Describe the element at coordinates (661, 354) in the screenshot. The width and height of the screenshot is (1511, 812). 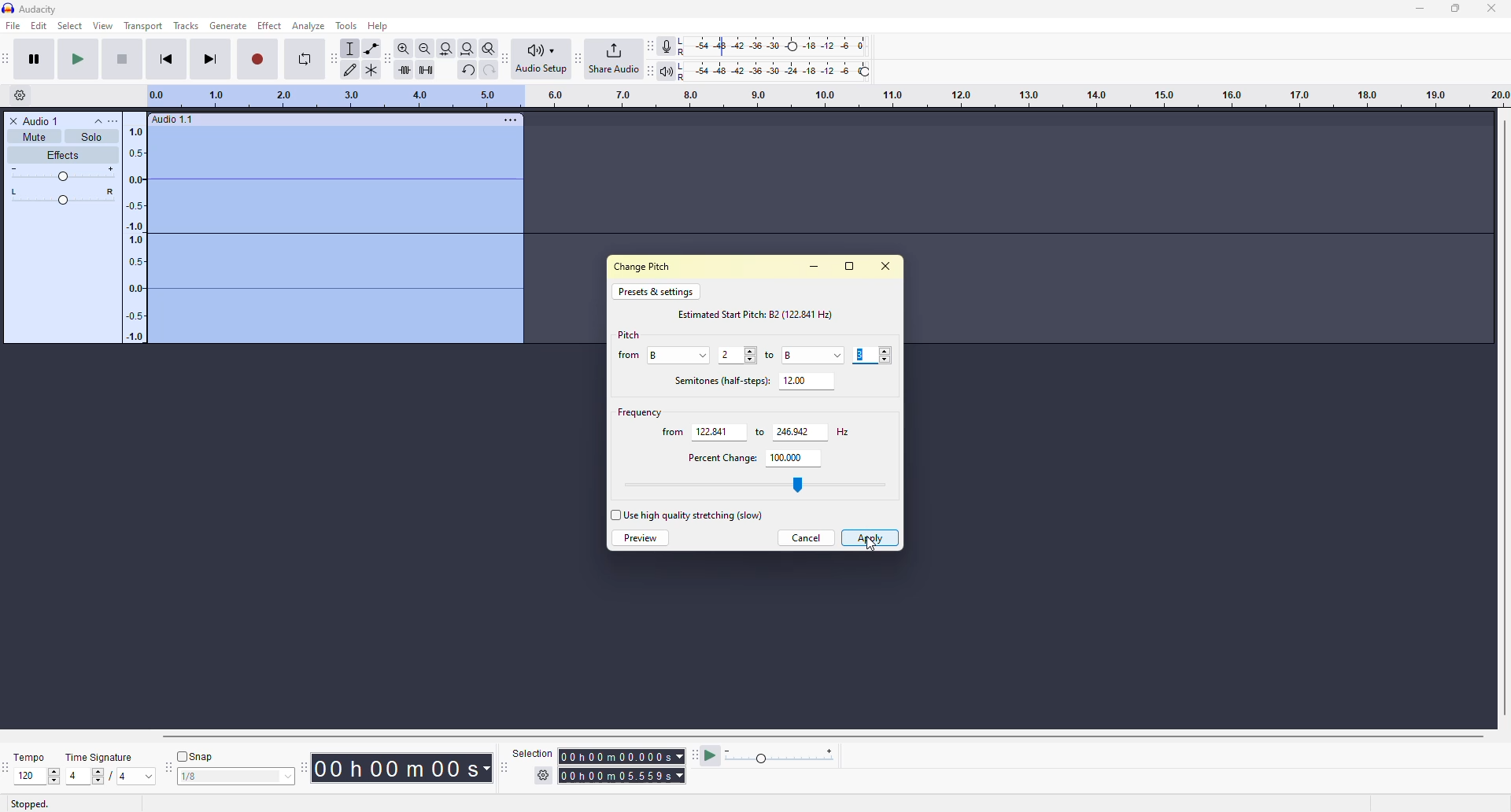
I see `b` at that location.